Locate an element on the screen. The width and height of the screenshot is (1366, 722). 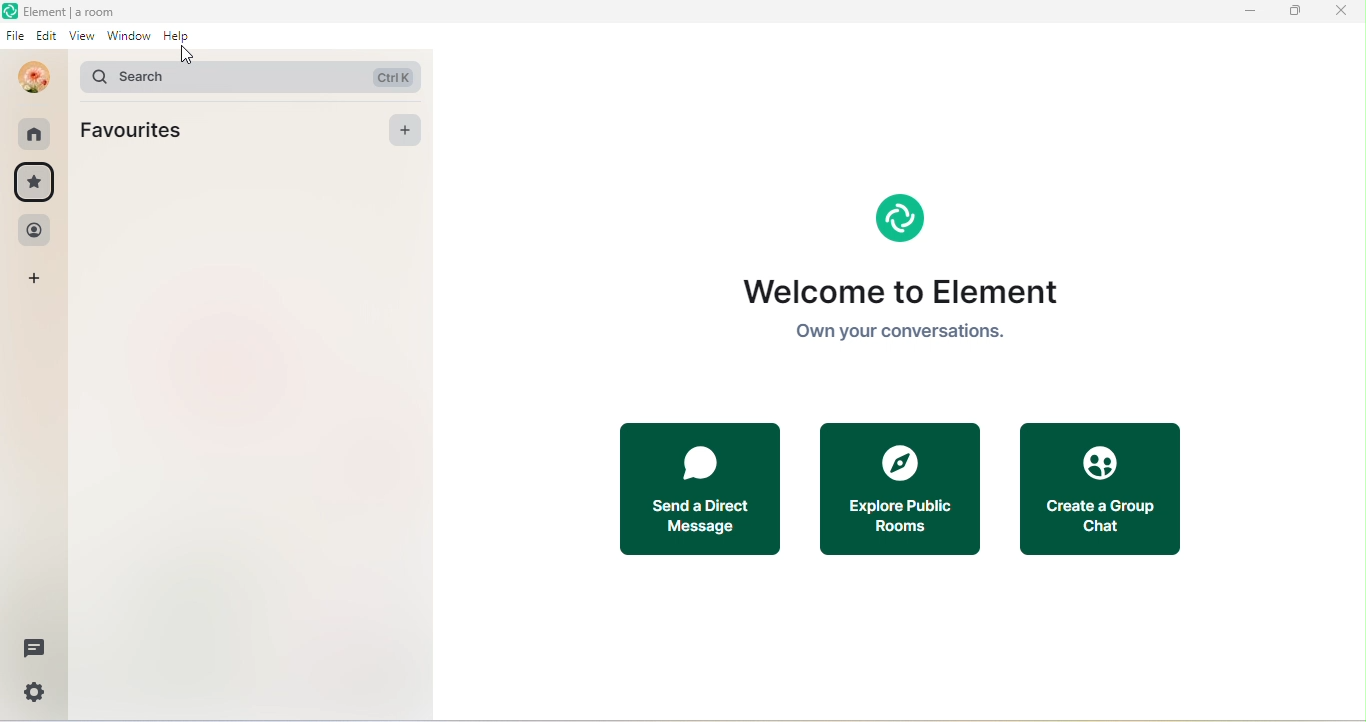
search bar is located at coordinates (142, 75).